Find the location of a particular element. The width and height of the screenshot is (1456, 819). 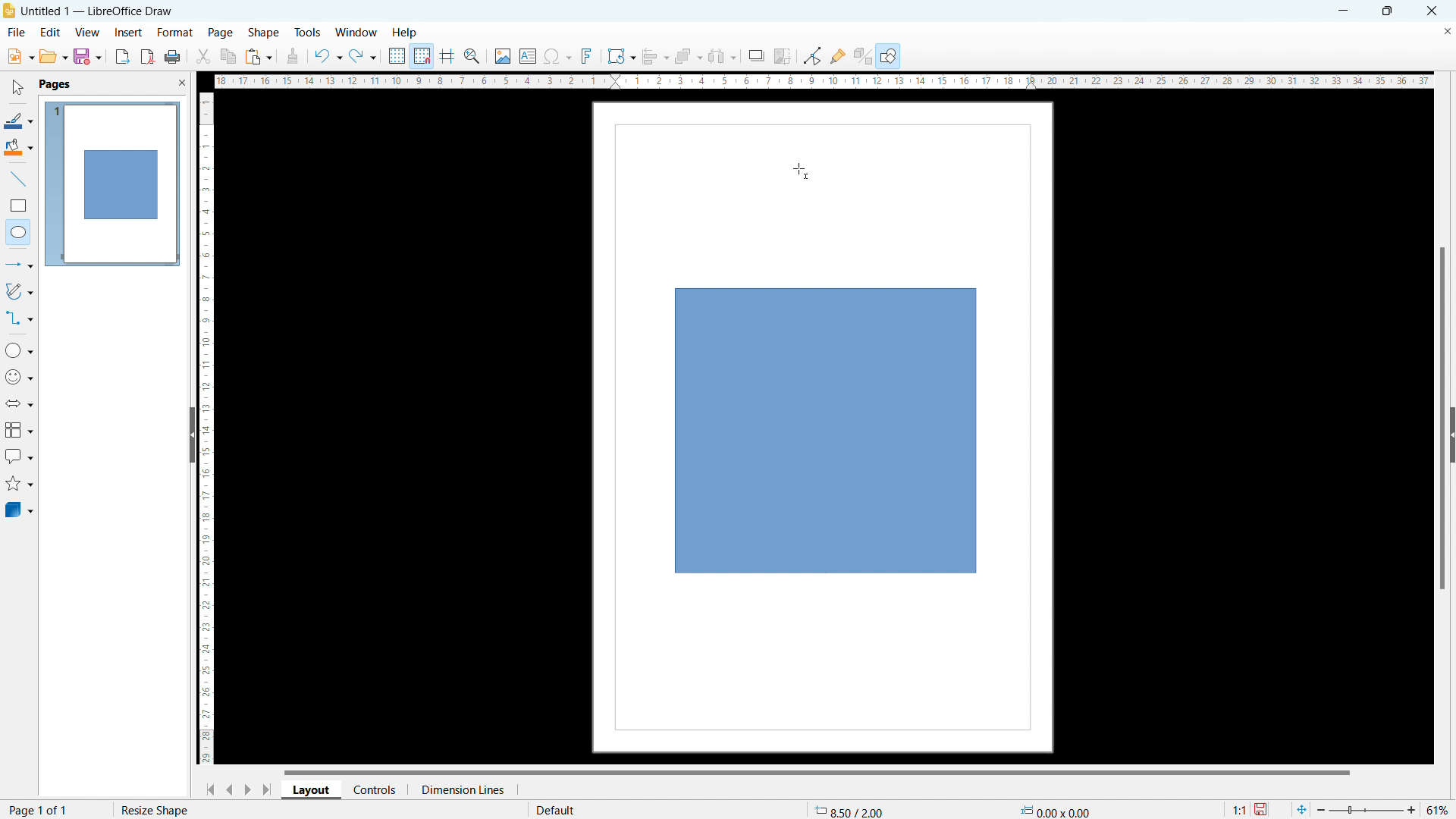

current page is located at coordinates (39, 809).